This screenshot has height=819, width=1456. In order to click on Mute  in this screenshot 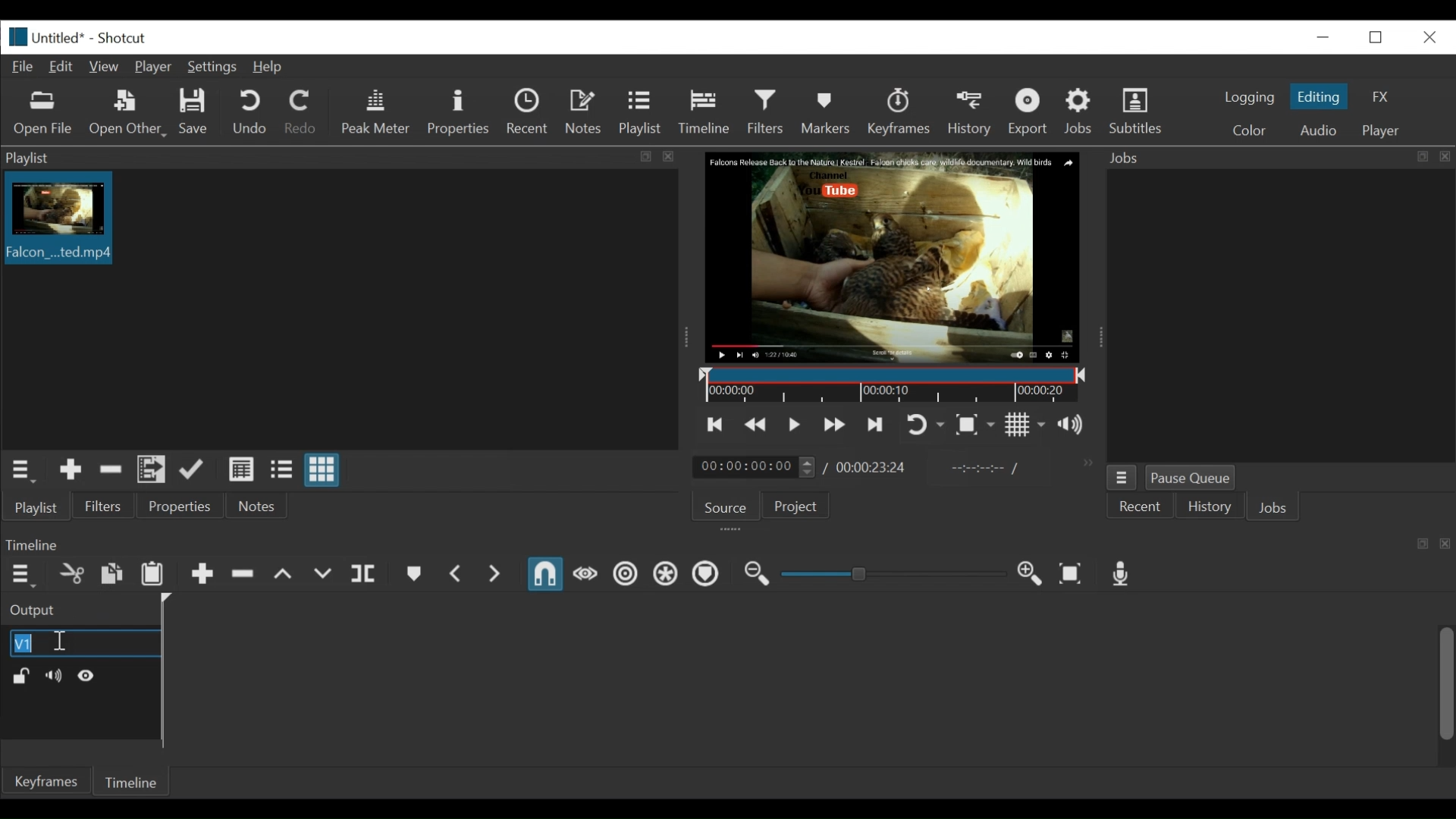, I will do `click(51, 676)`.